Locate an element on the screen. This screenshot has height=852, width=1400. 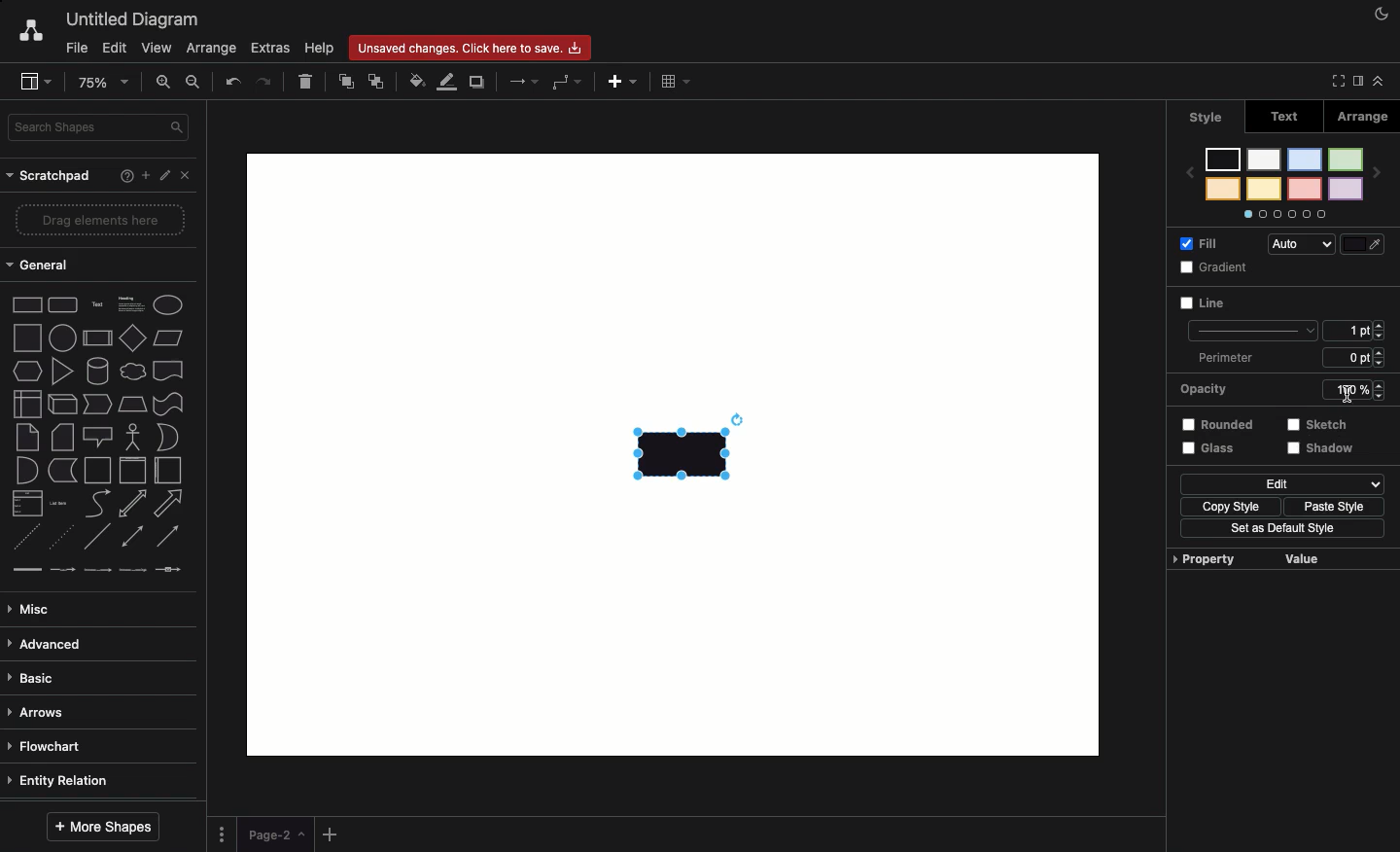
Arrange is located at coordinates (1367, 120).